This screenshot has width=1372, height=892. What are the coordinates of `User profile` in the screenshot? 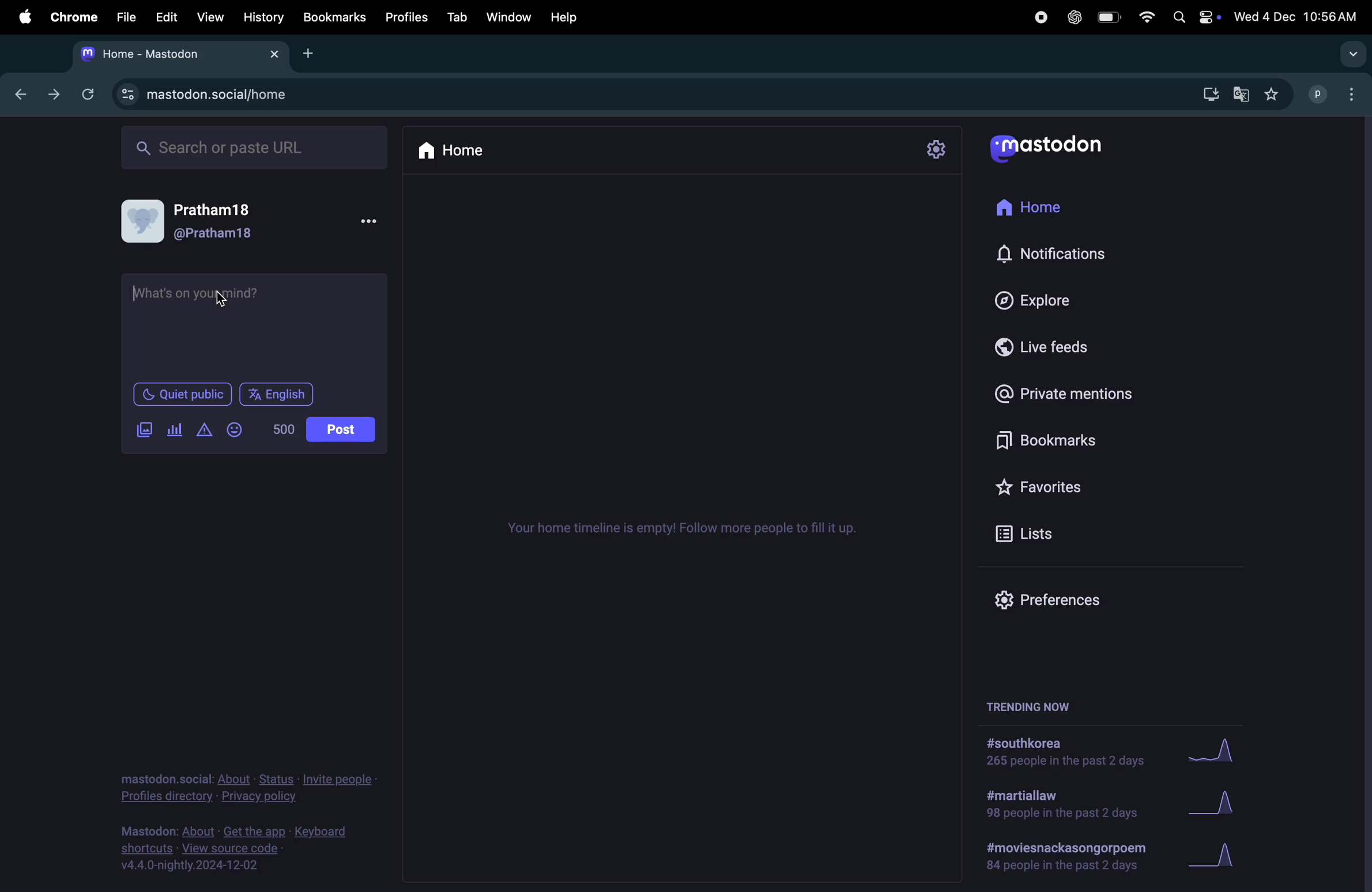 It's located at (202, 222).